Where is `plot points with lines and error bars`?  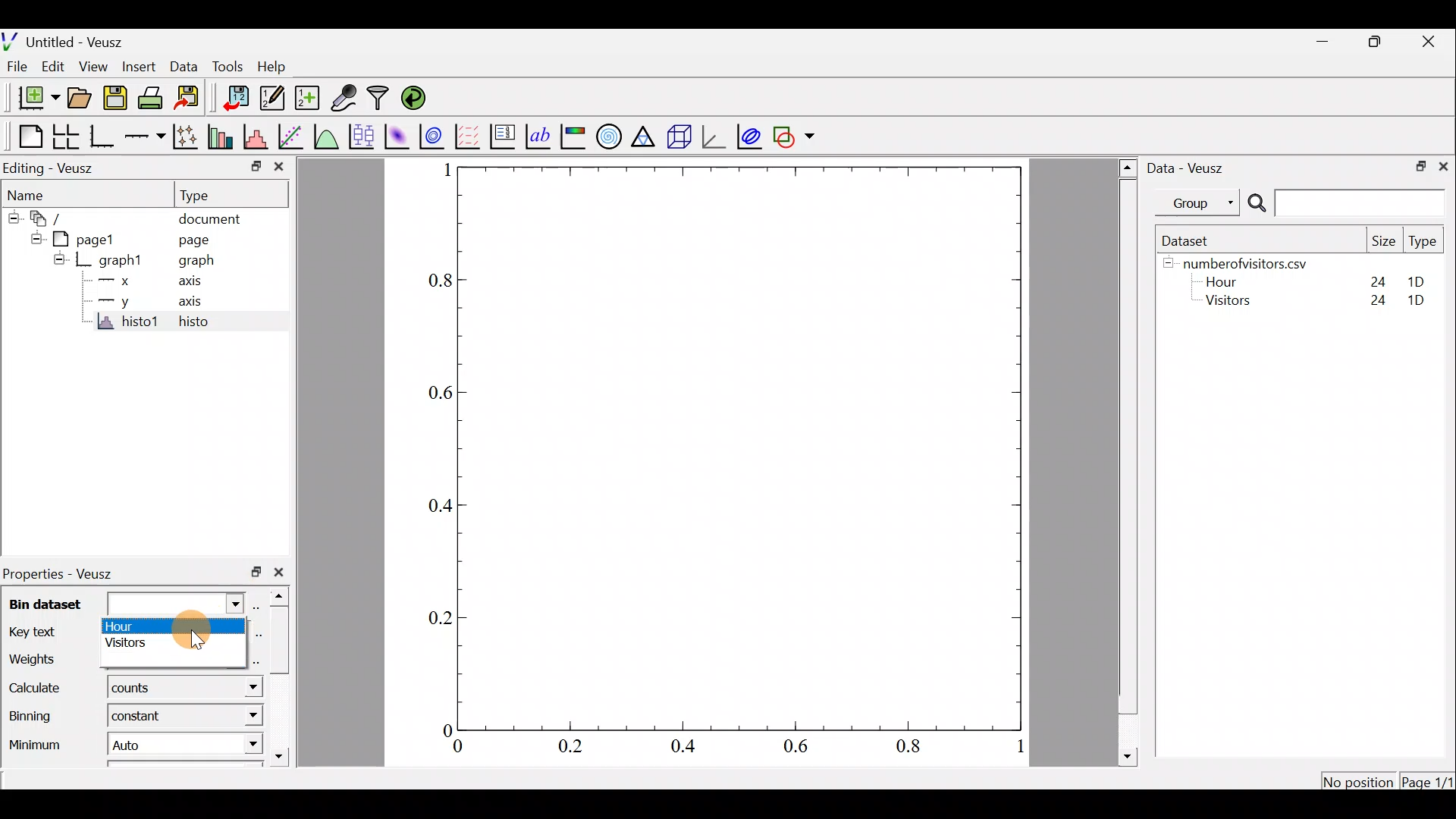 plot points with lines and error bars is located at coordinates (187, 136).